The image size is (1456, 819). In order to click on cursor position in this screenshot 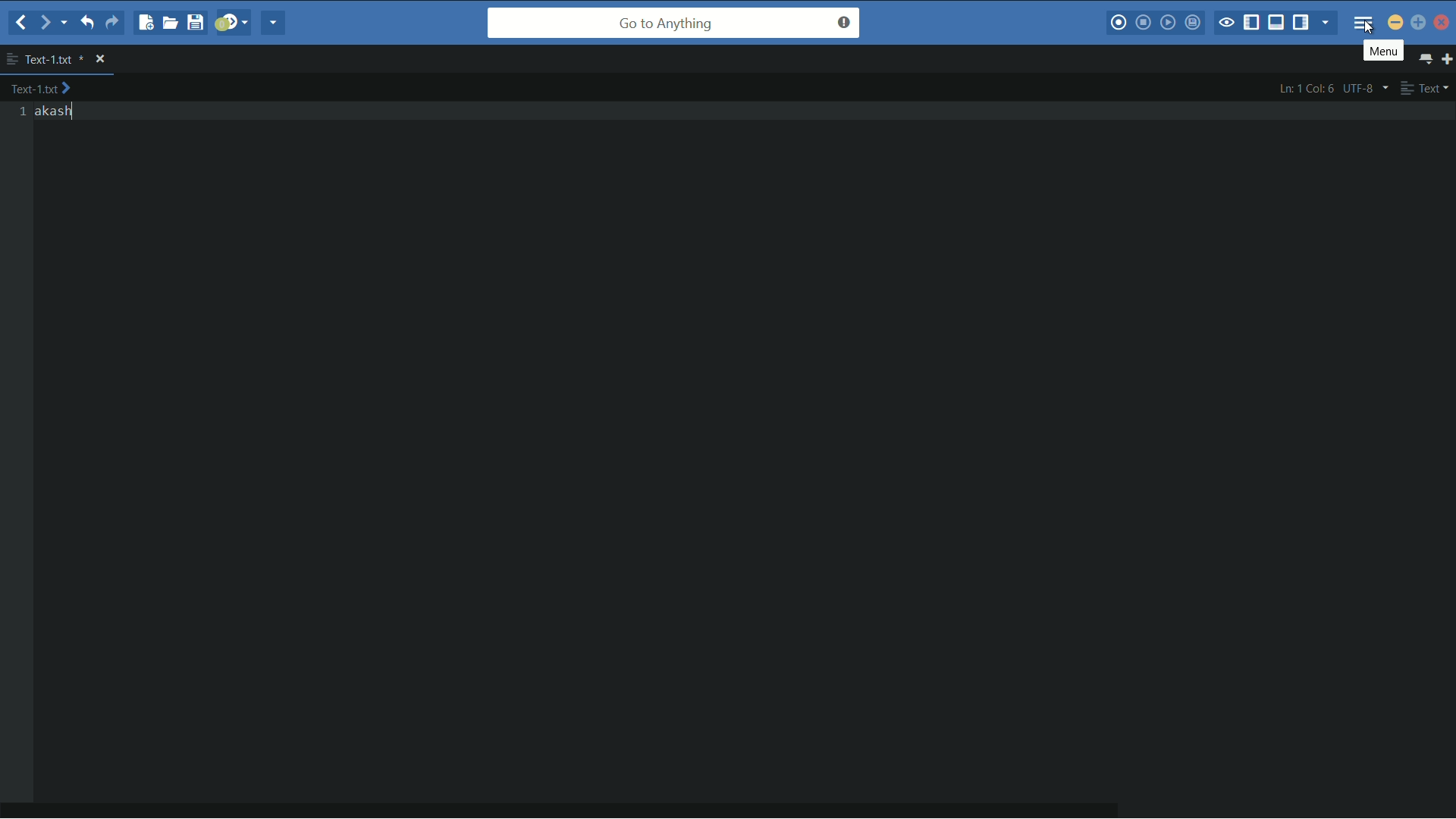, I will do `click(1307, 88)`.